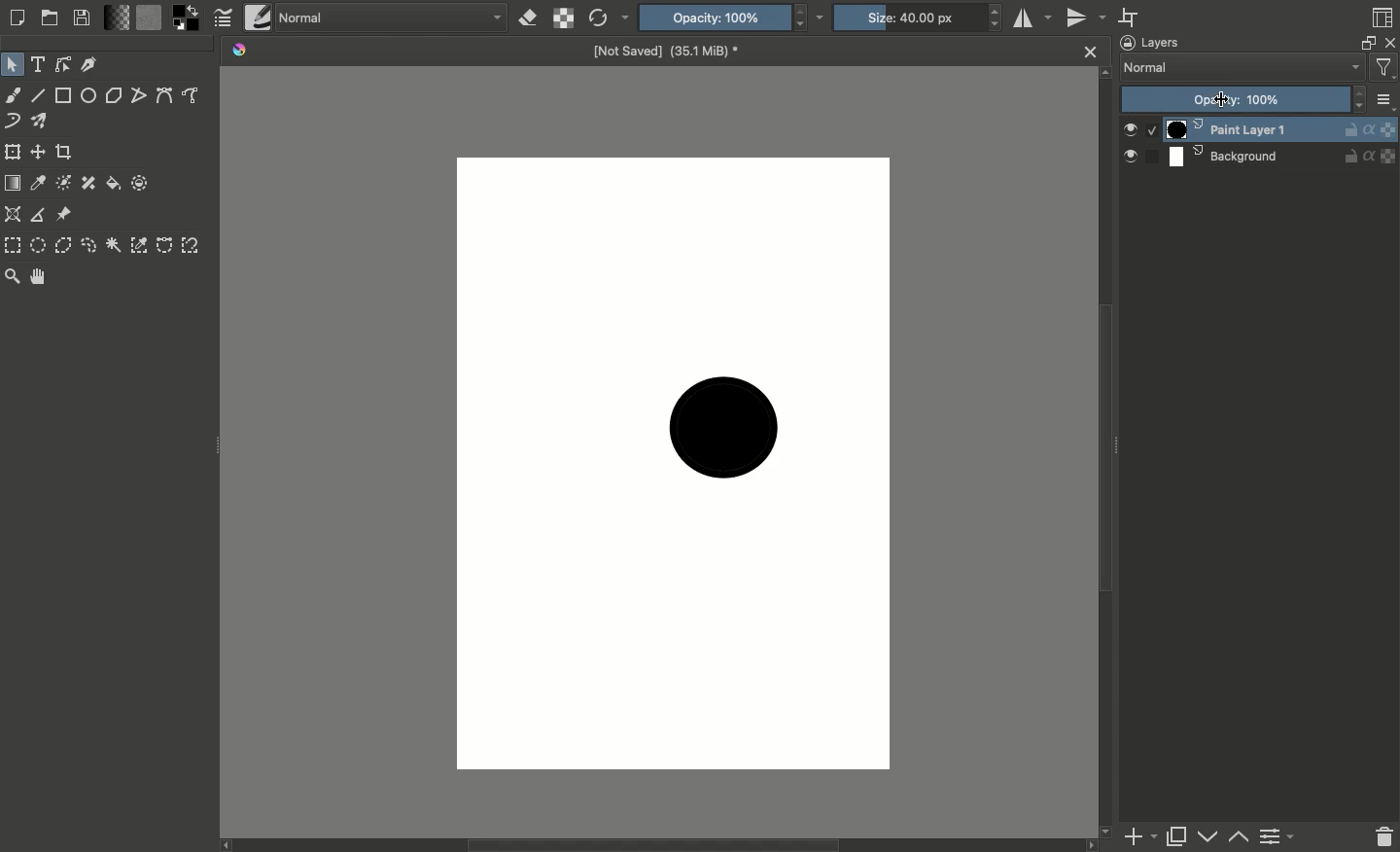 The image size is (1400, 852). What do you see at coordinates (164, 247) in the screenshot?
I see `Bezier curve selection tool` at bounding box center [164, 247].